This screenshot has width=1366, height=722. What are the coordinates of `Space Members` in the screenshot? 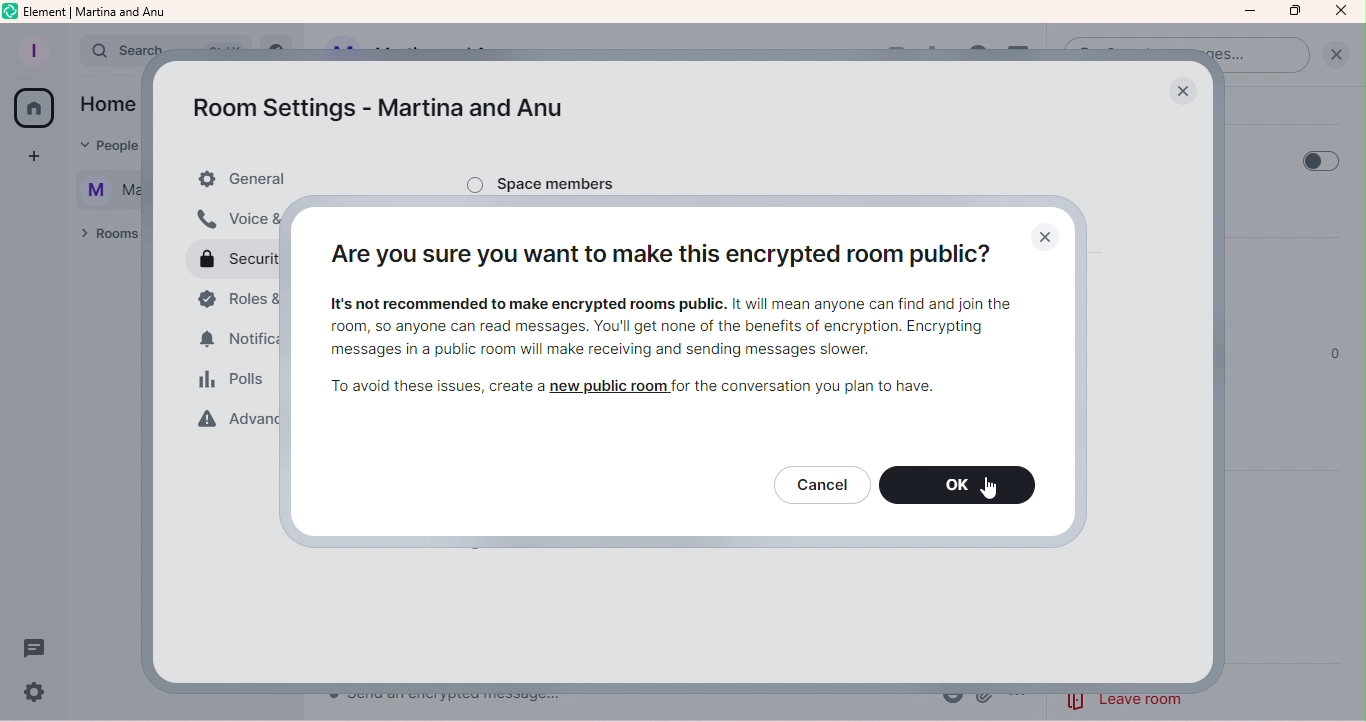 It's located at (734, 178).